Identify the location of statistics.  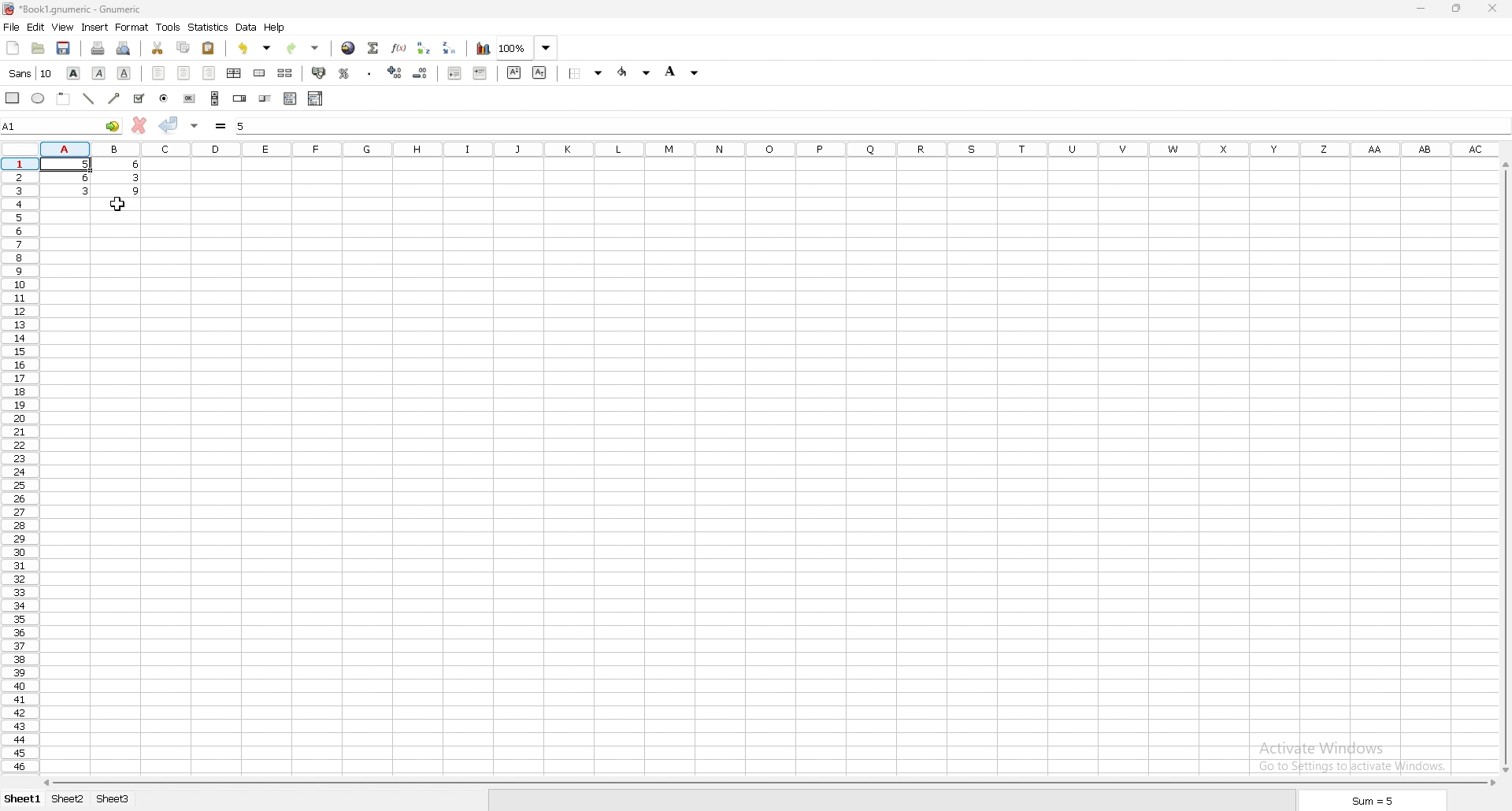
(209, 28).